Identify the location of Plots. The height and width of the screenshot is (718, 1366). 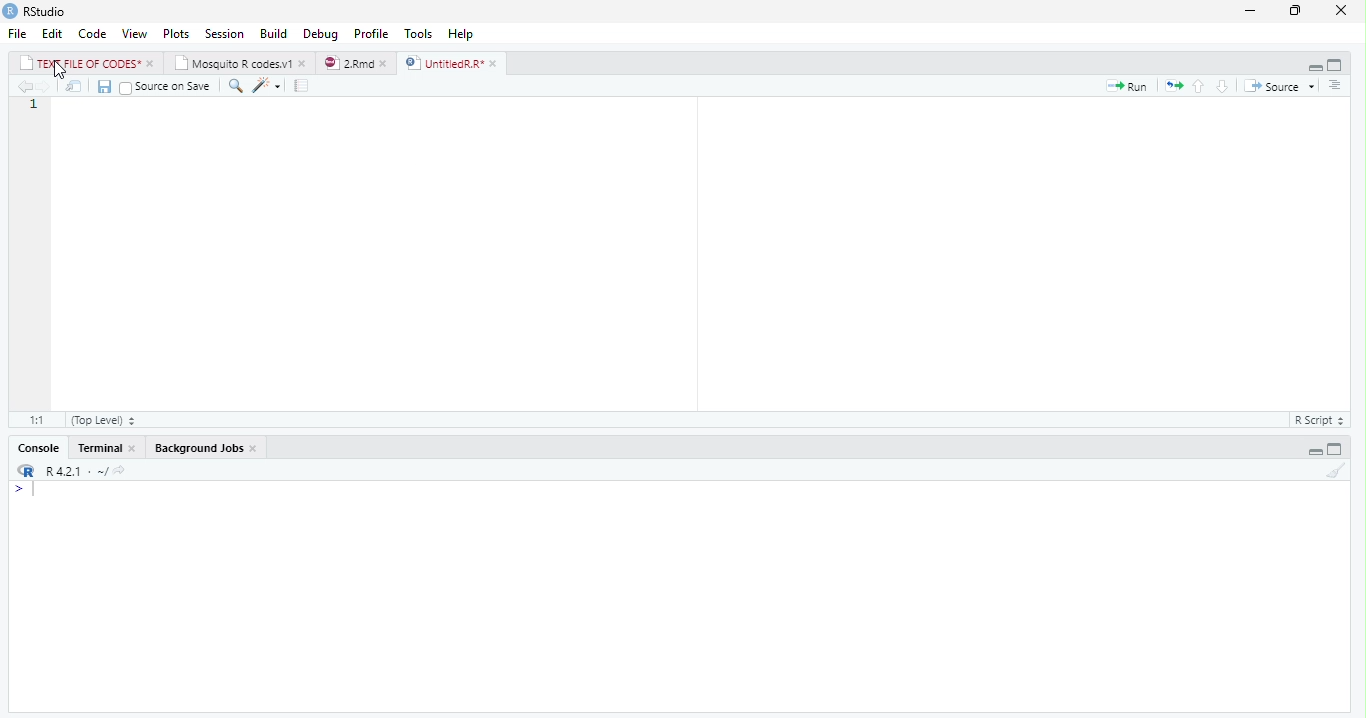
(176, 32).